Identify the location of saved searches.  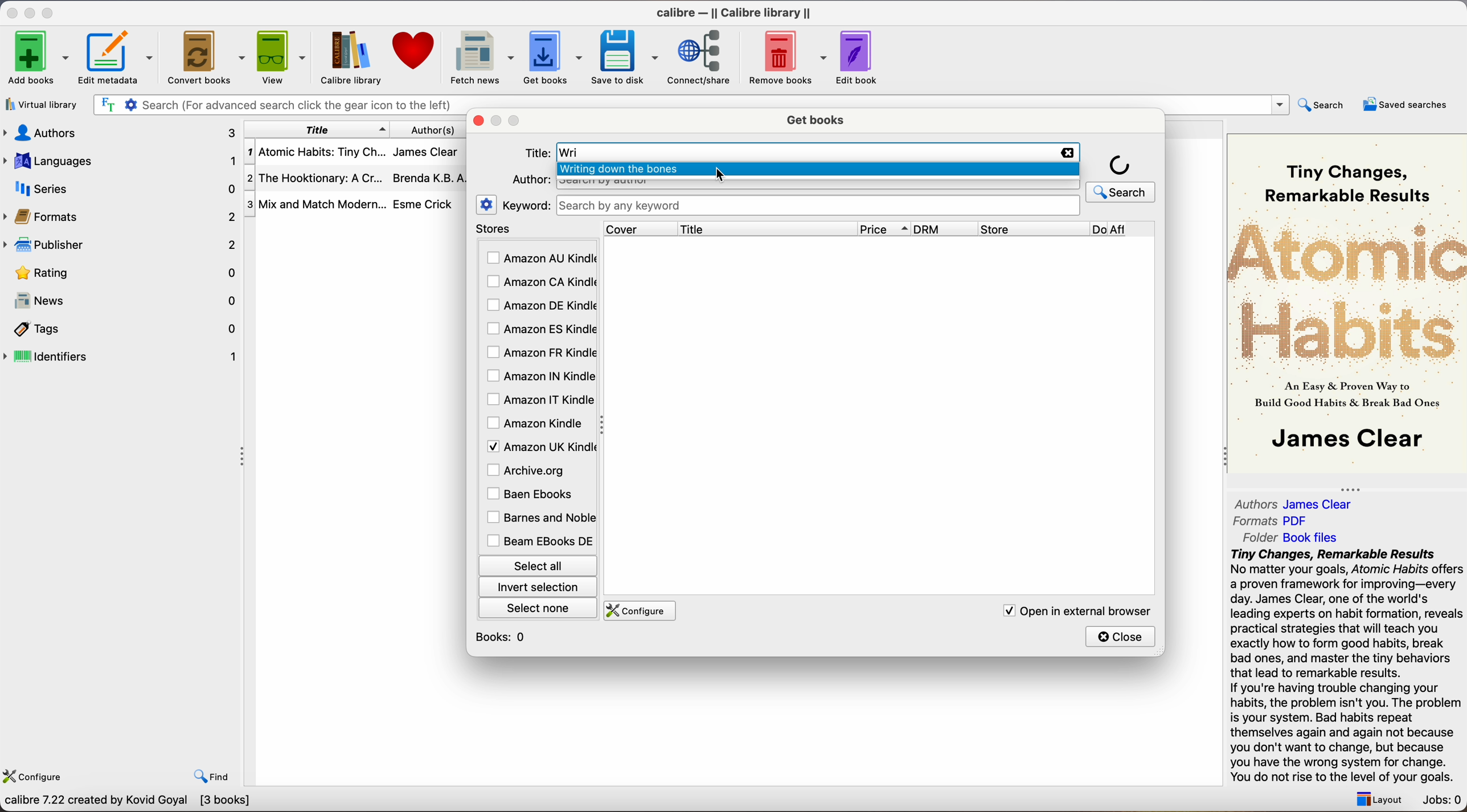
(1405, 104).